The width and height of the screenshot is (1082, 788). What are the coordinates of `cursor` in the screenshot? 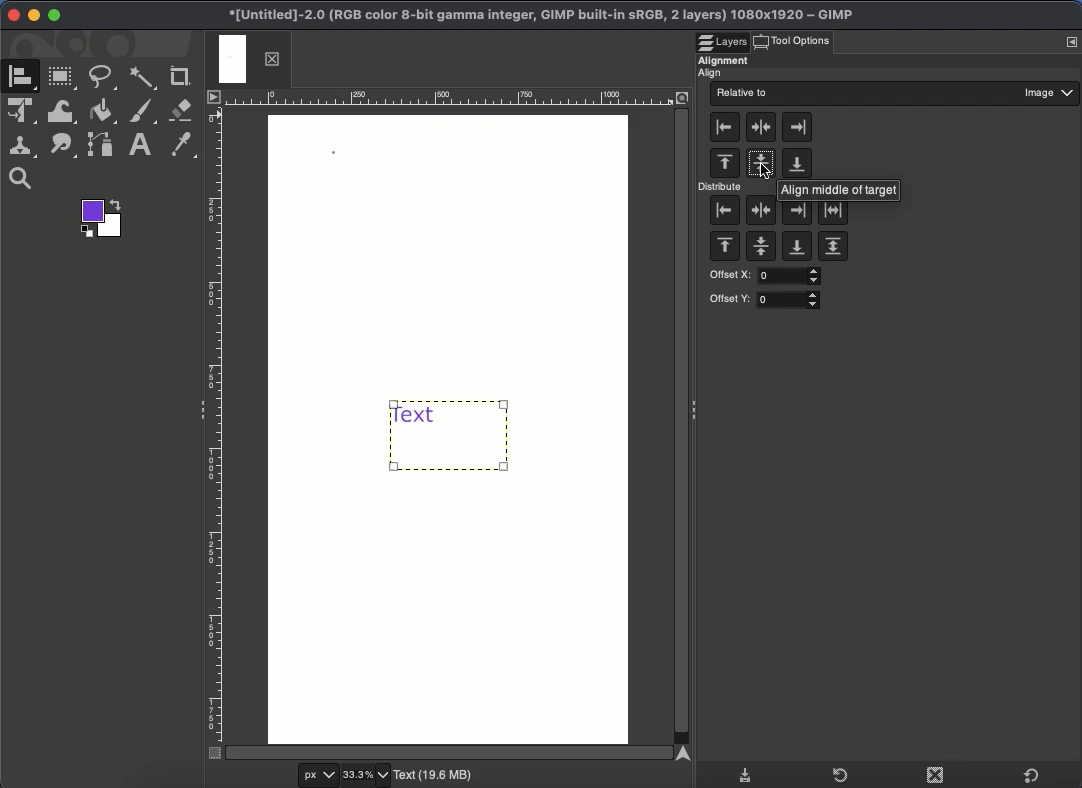 It's located at (766, 172).